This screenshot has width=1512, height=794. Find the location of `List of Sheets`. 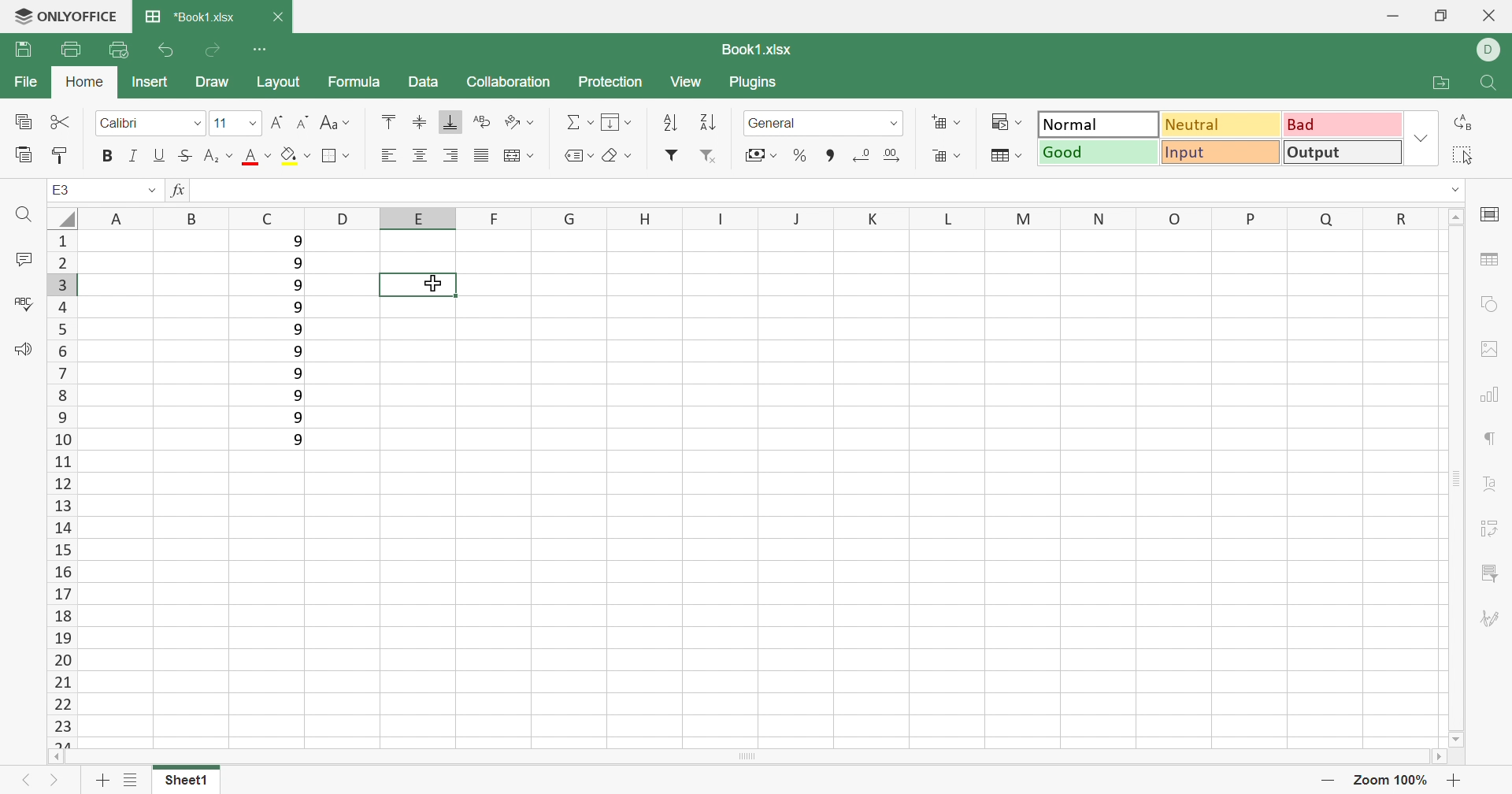

List of Sheets is located at coordinates (131, 781).